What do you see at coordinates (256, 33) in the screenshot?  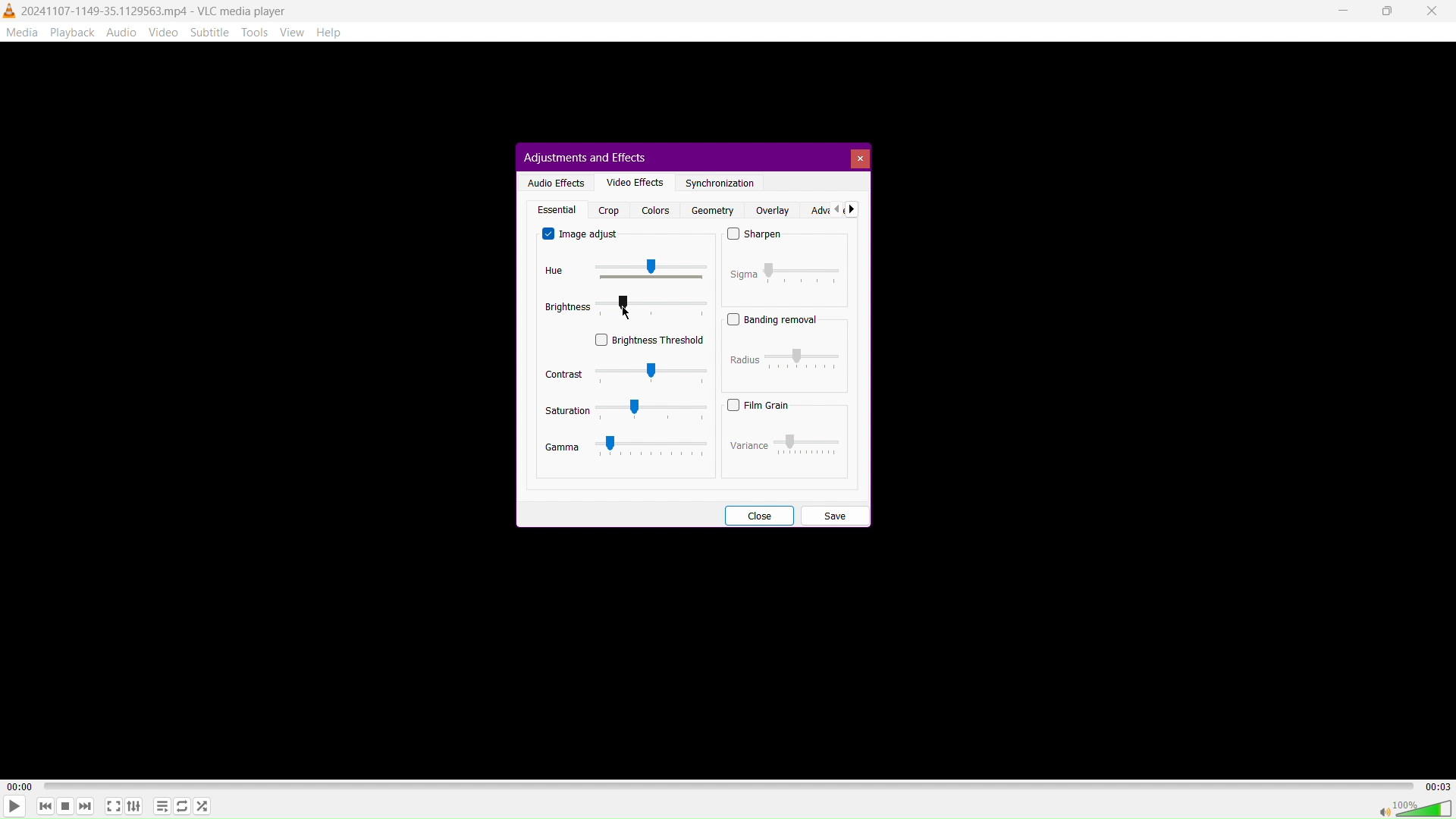 I see `Tools` at bounding box center [256, 33].